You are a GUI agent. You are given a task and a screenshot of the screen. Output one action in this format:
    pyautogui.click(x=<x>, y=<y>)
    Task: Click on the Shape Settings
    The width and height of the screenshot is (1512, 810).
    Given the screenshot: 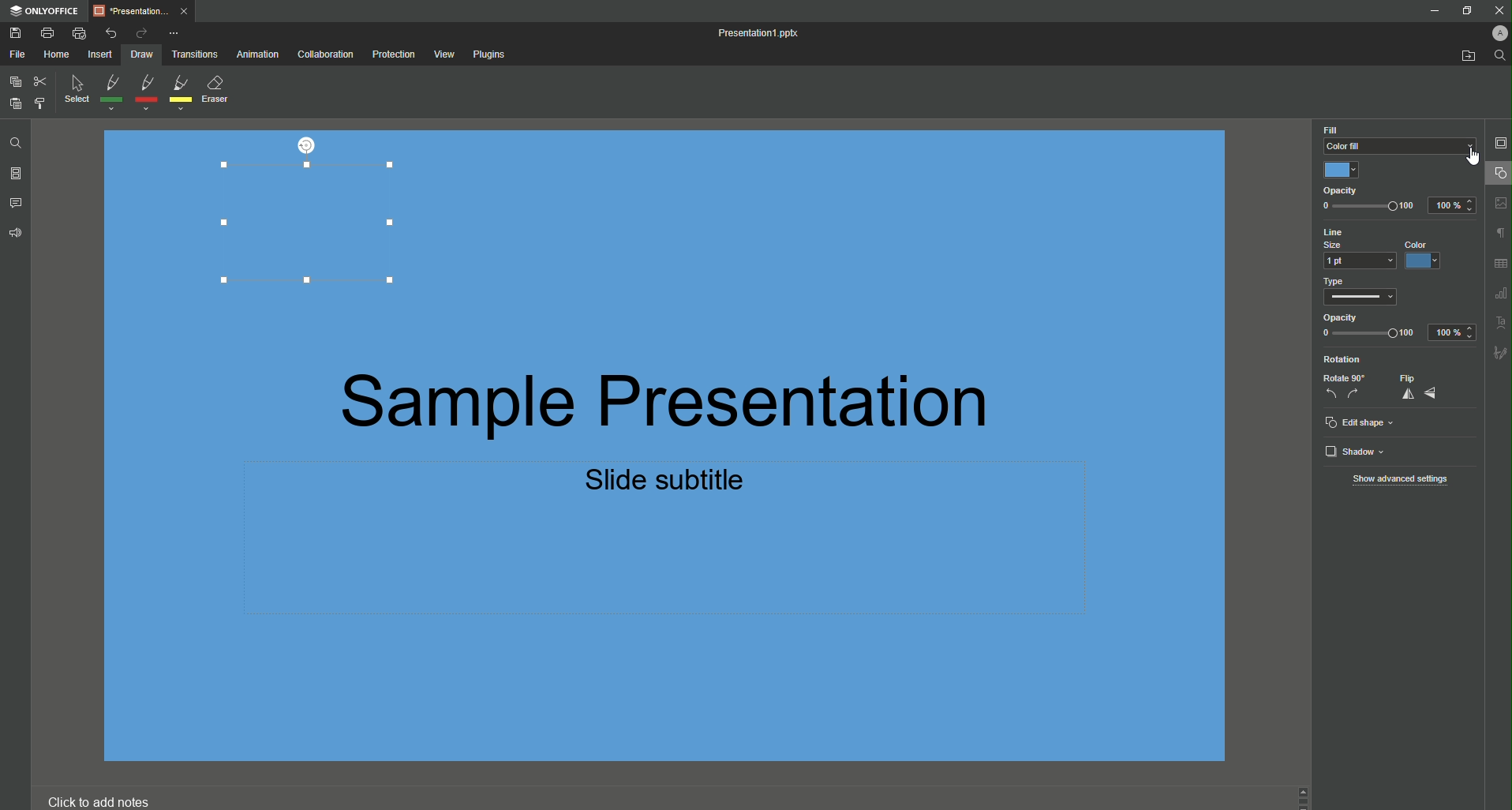 What is the action you would take?
    pyautogui.click(x=1497, y=173)
    